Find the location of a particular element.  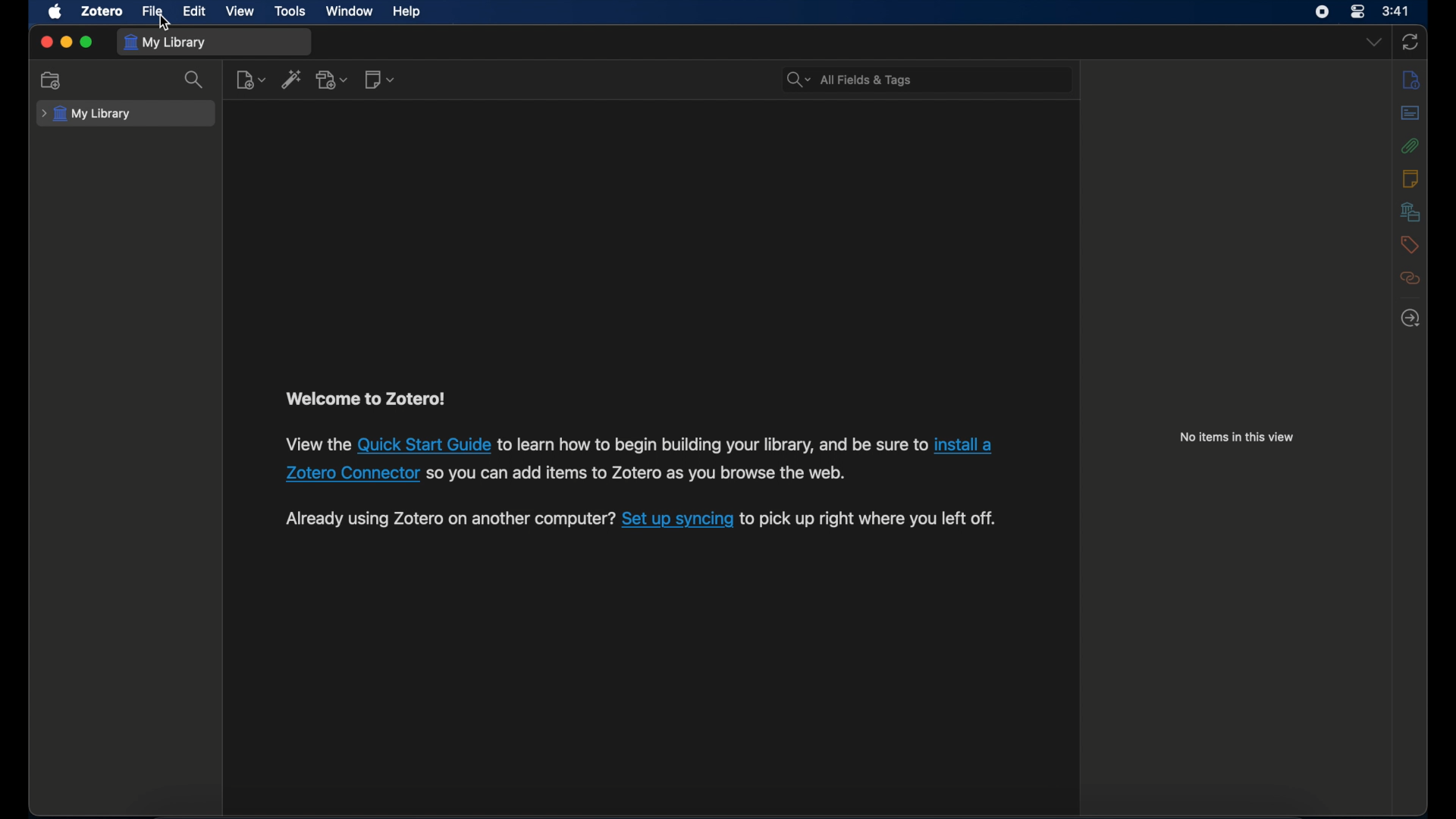

my library is located at coordinates (86, 115).